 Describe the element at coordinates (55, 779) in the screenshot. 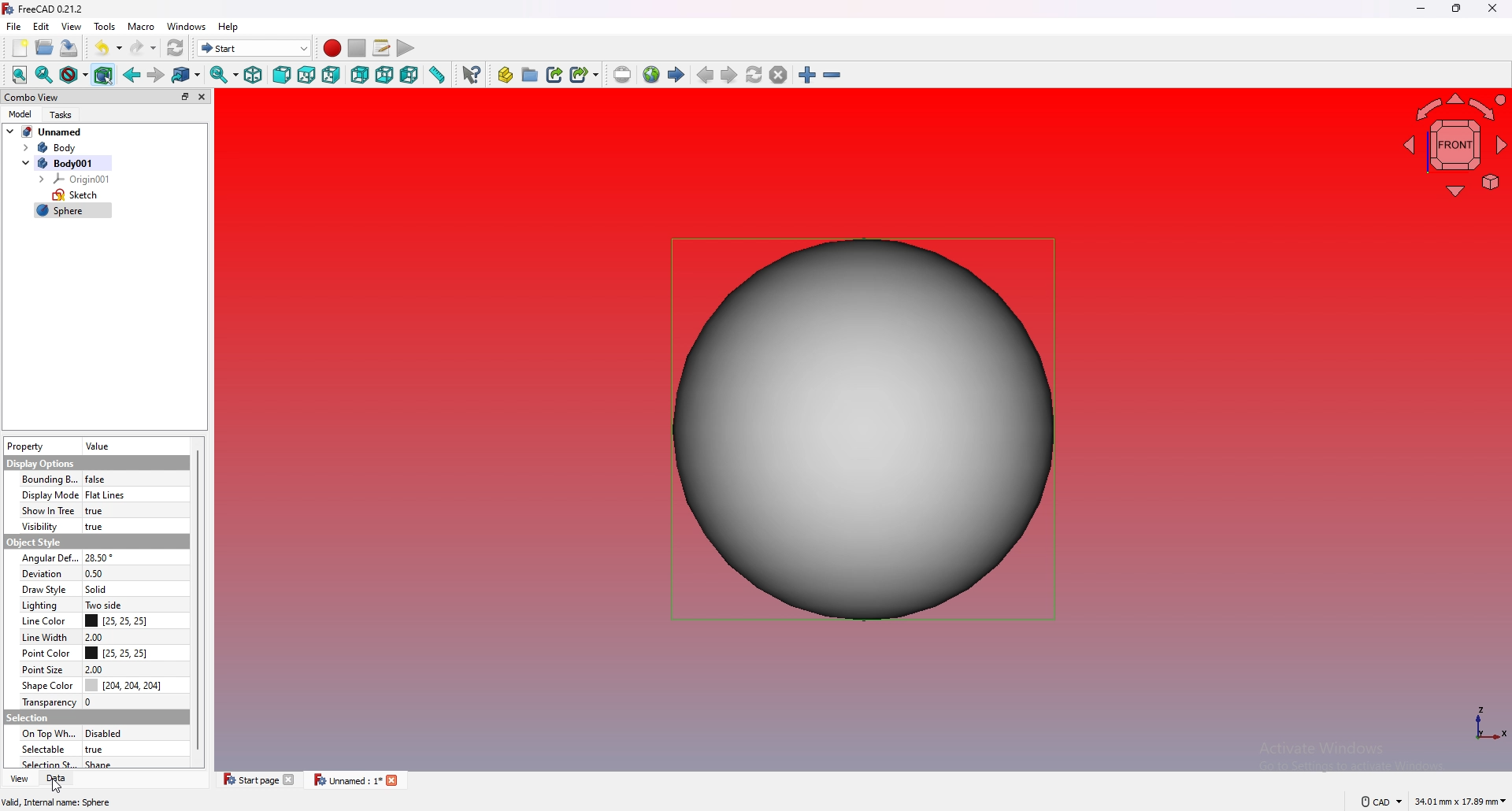

I see `data` at that location.